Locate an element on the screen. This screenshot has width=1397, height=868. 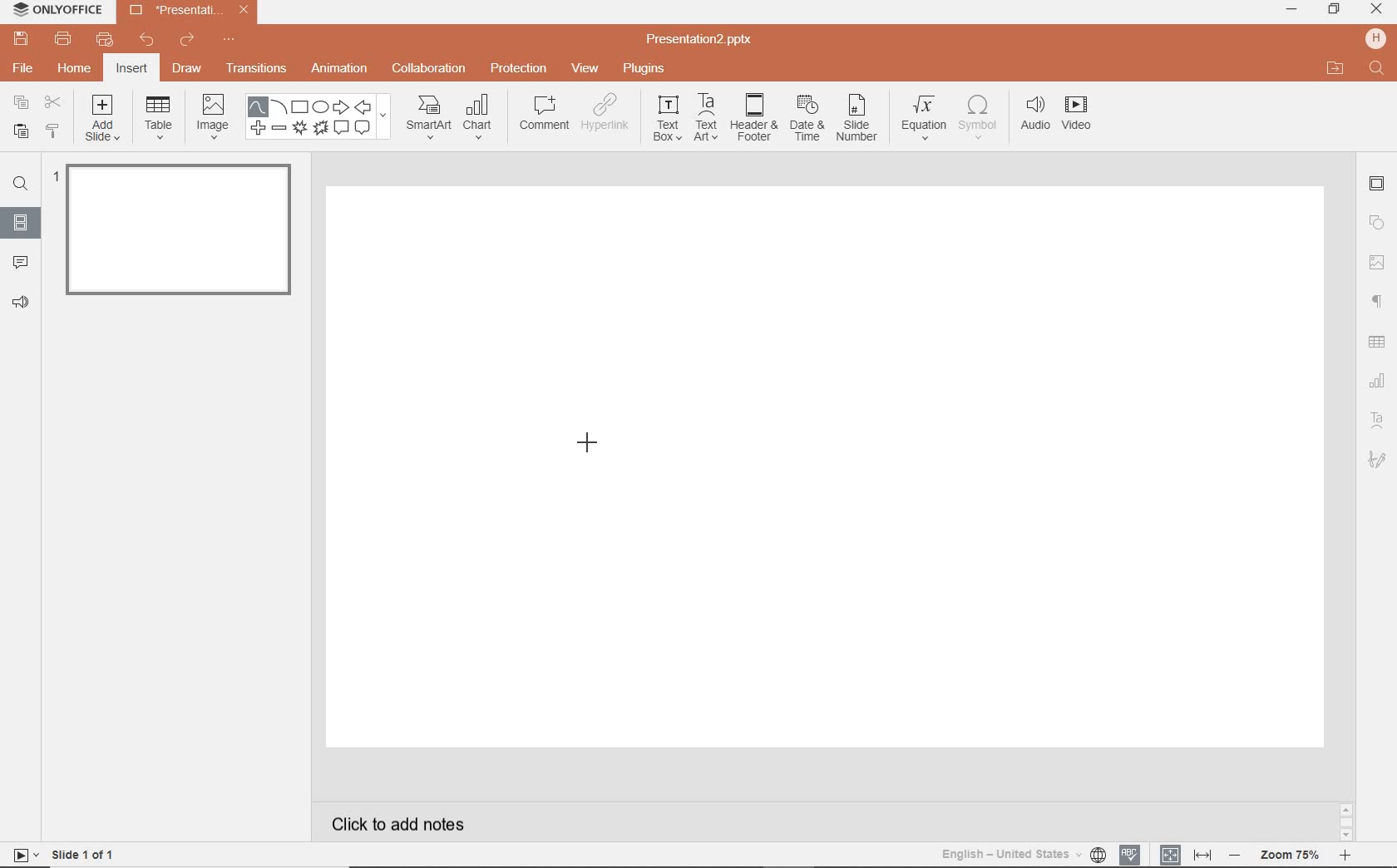
PLUGINS is located at coordinates (644, 69).